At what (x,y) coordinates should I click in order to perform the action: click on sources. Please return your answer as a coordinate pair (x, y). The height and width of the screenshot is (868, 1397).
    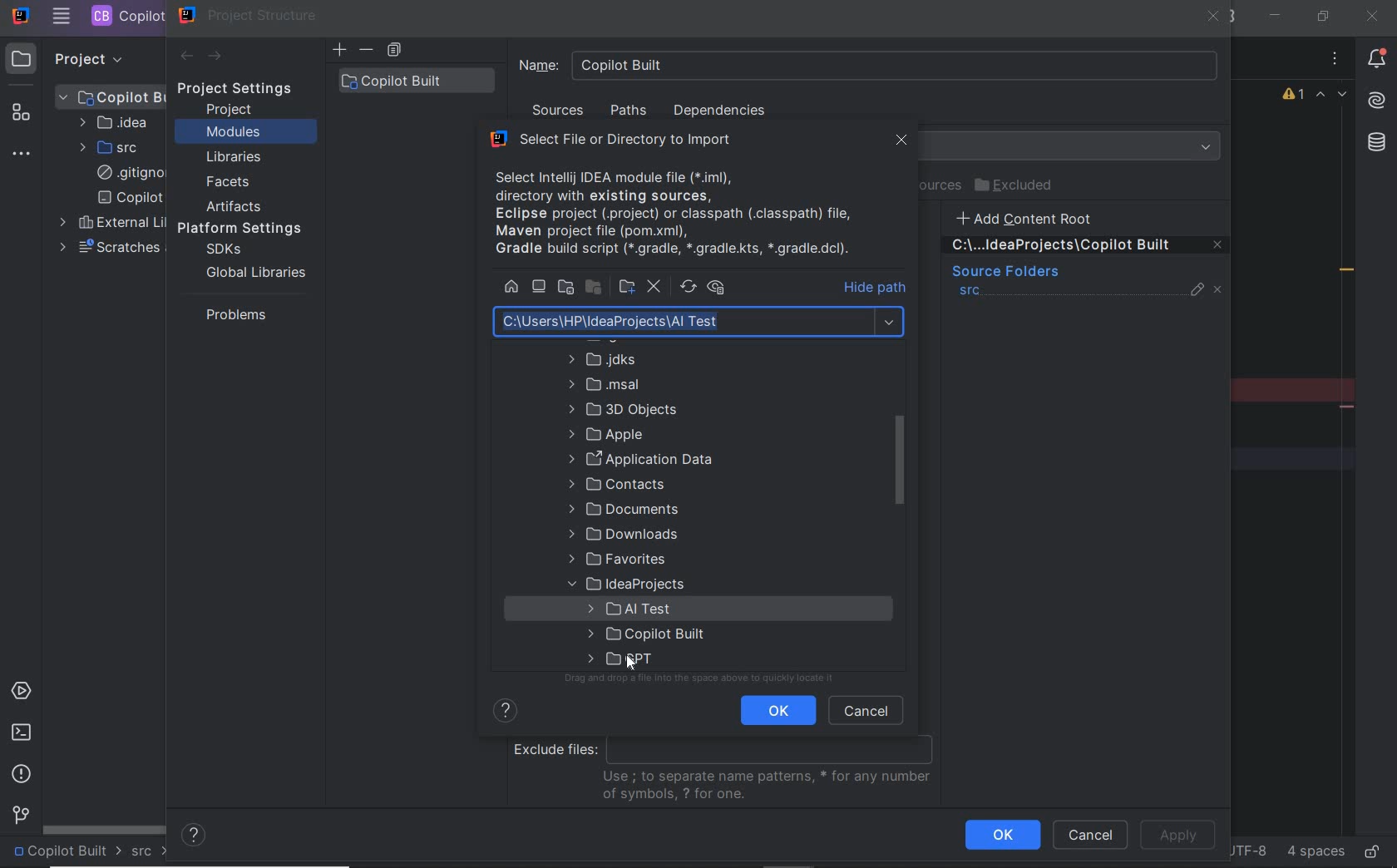
    Looking at the image, I should click on (560, 113).